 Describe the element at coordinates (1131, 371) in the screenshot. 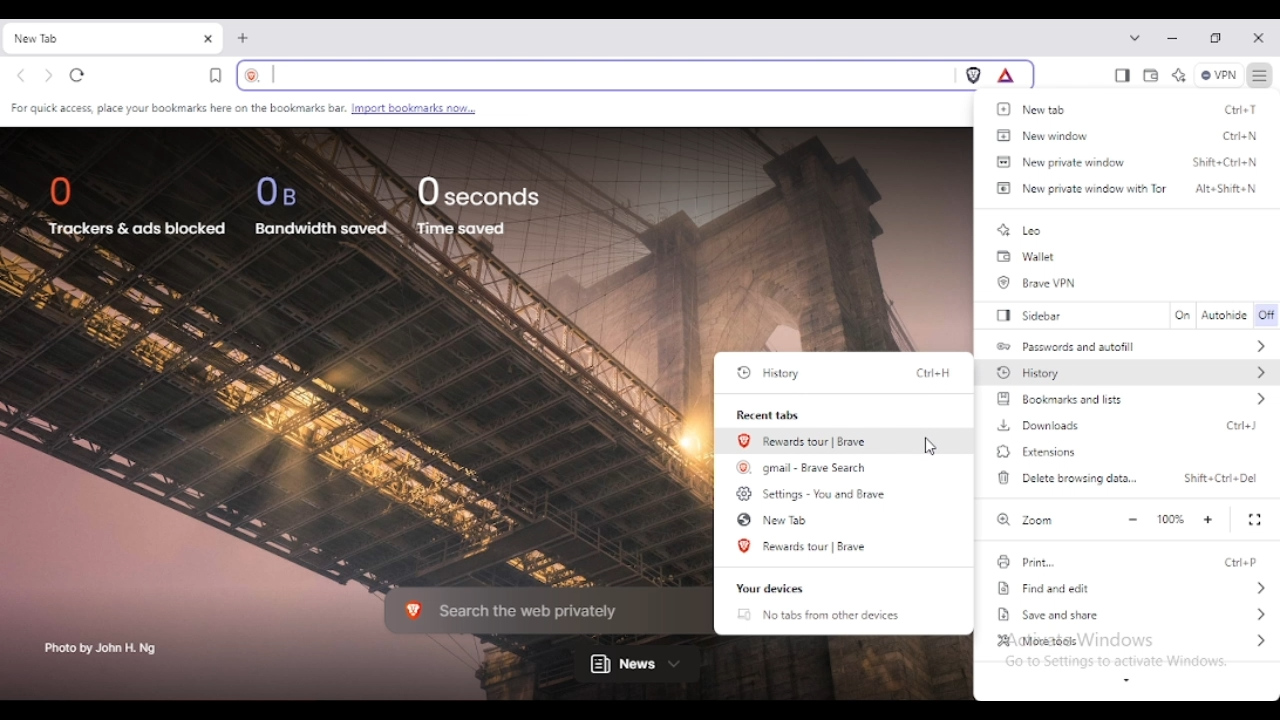

I see `history` at that location.